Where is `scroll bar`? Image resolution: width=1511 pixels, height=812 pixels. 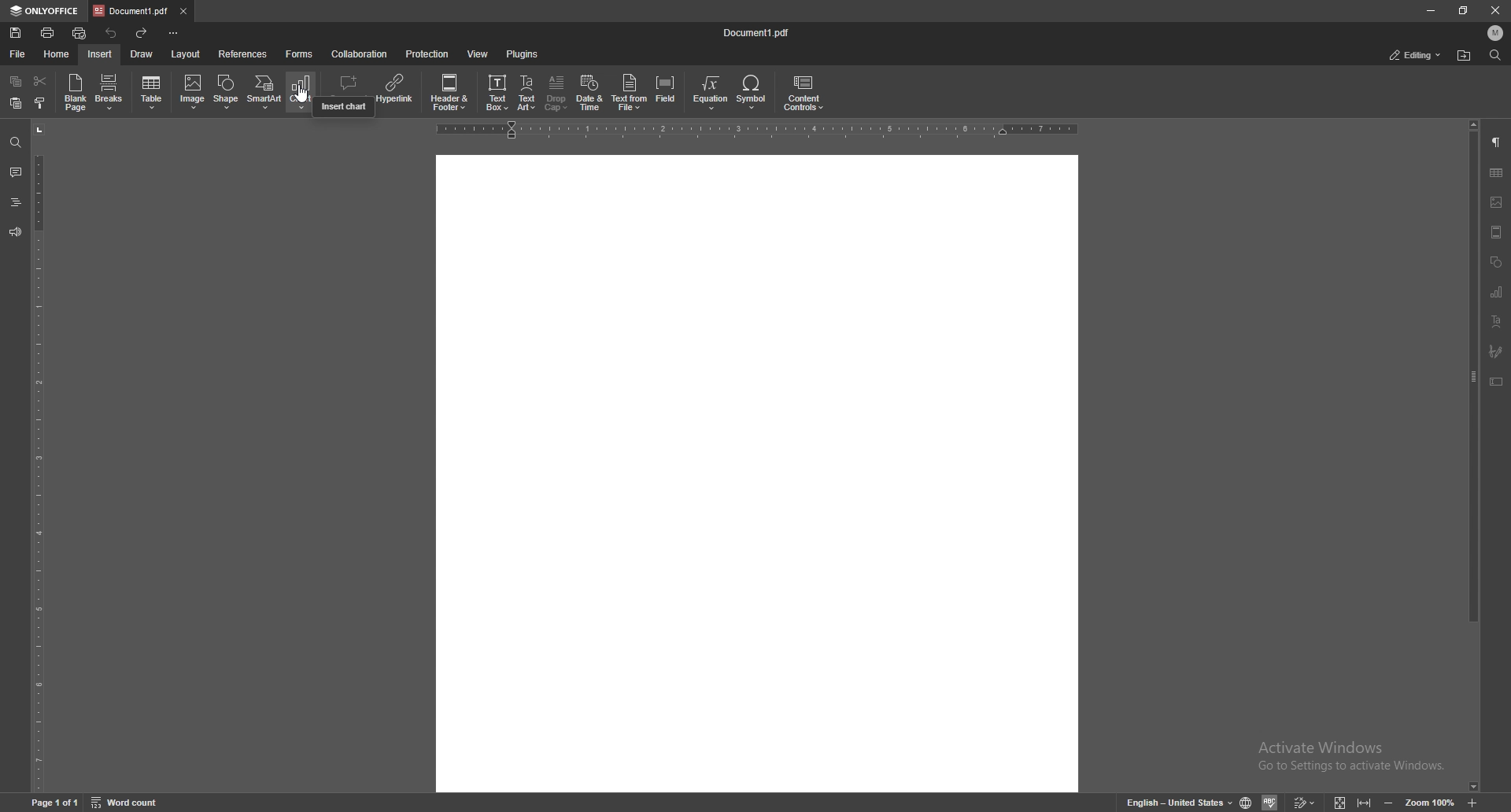
scroll bar is located at coordinates (1474, 457).